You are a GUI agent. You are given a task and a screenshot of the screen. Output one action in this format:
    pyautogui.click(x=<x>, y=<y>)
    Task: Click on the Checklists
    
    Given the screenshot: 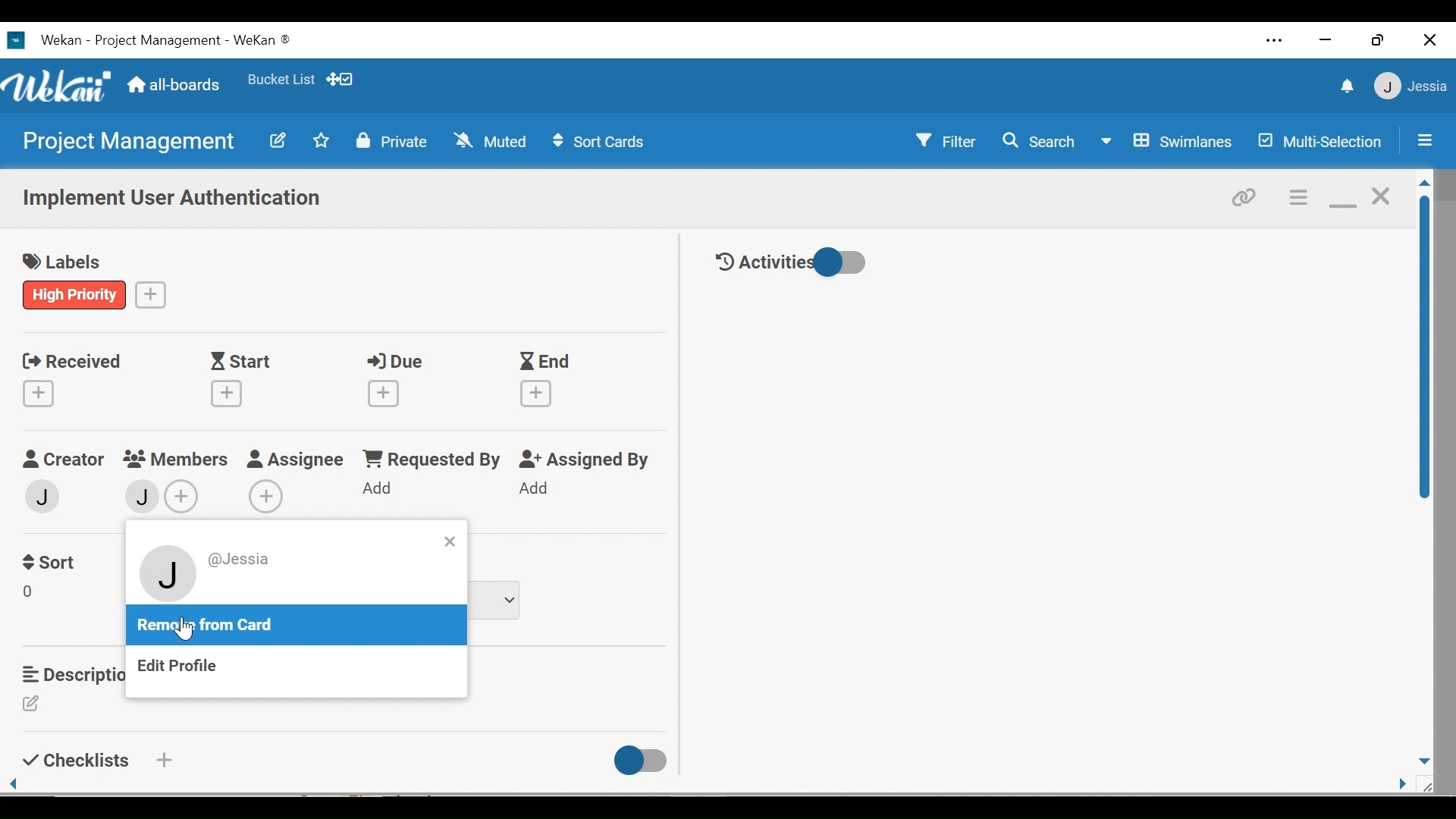 What is the action you would take?
    pyautogui.click(x=73, y=760)
    